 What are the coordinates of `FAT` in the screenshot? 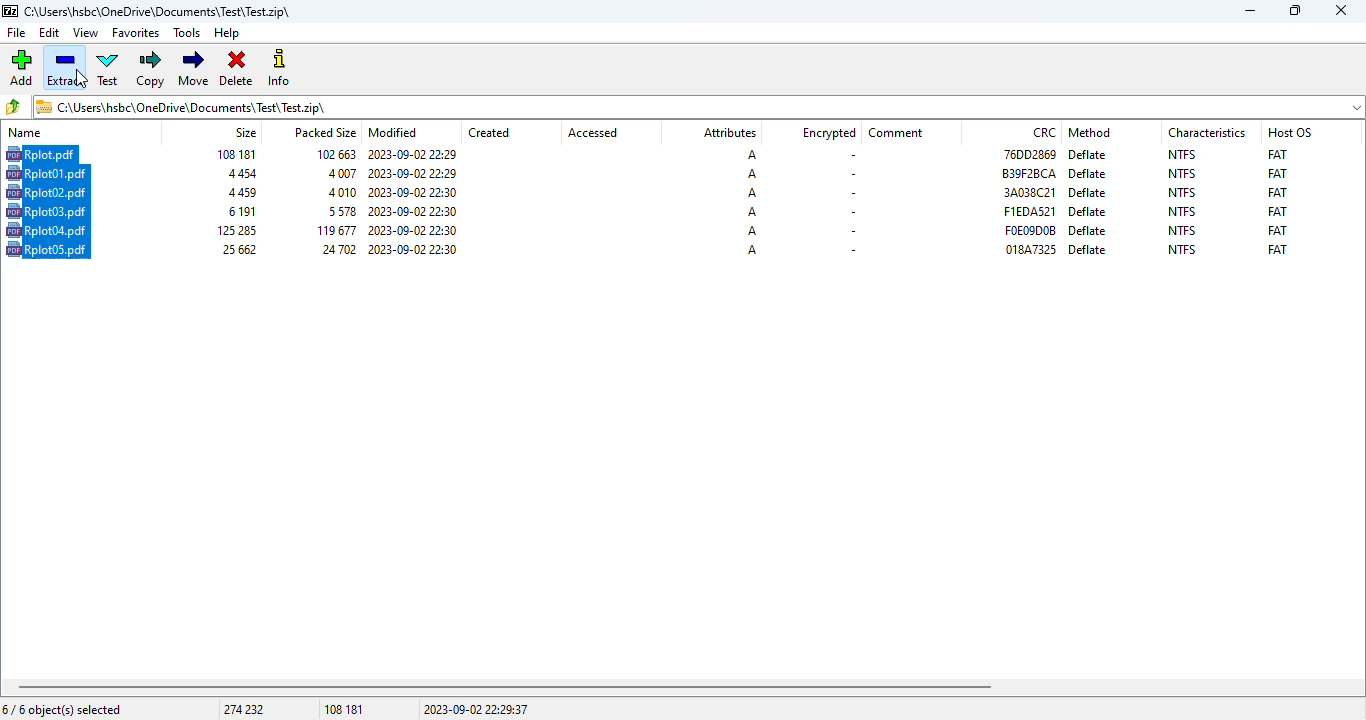 It's located at (1277, 192).